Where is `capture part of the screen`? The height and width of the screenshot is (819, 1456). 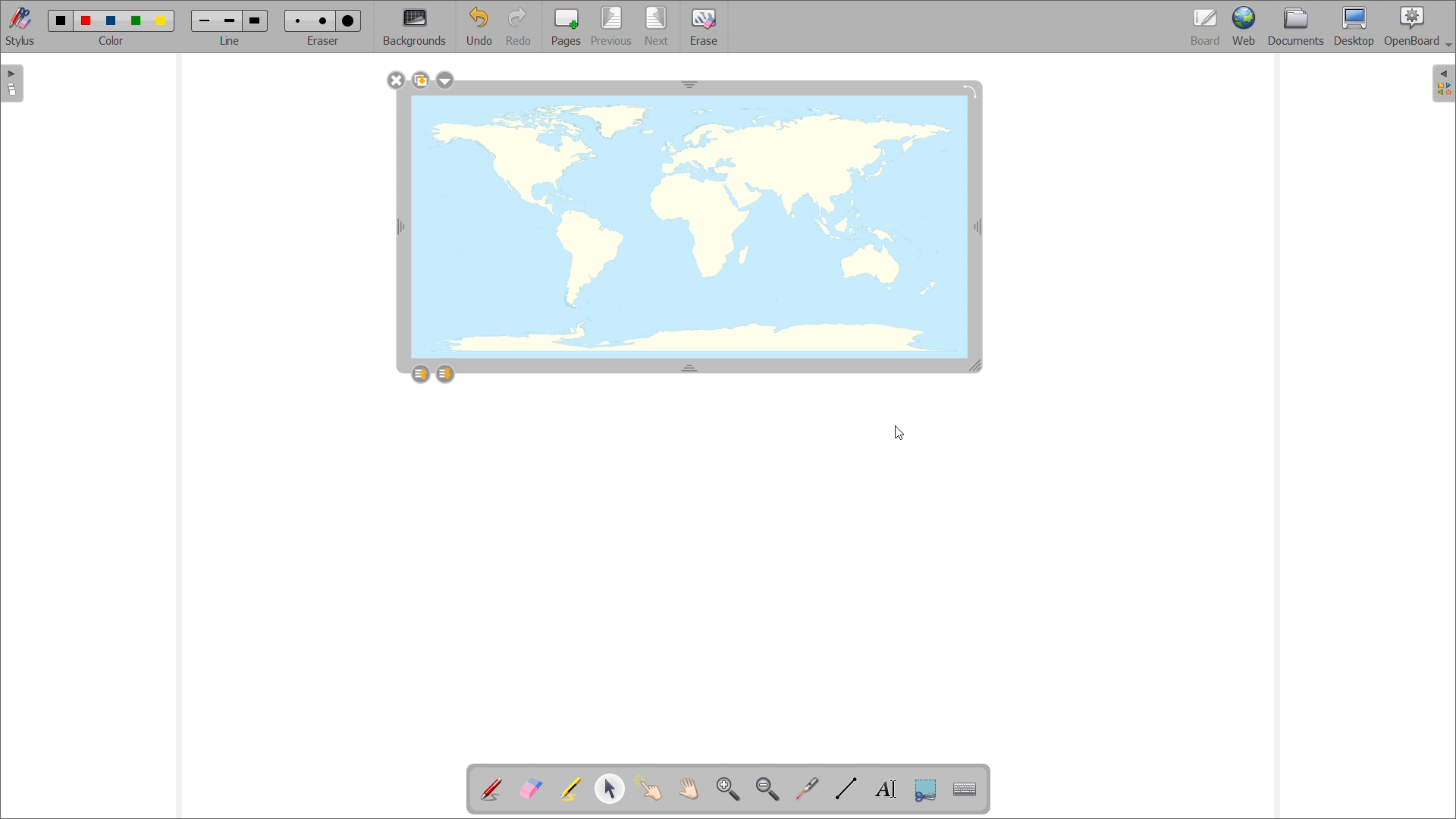
capture part of the screen is located at coordinates (927, 789).